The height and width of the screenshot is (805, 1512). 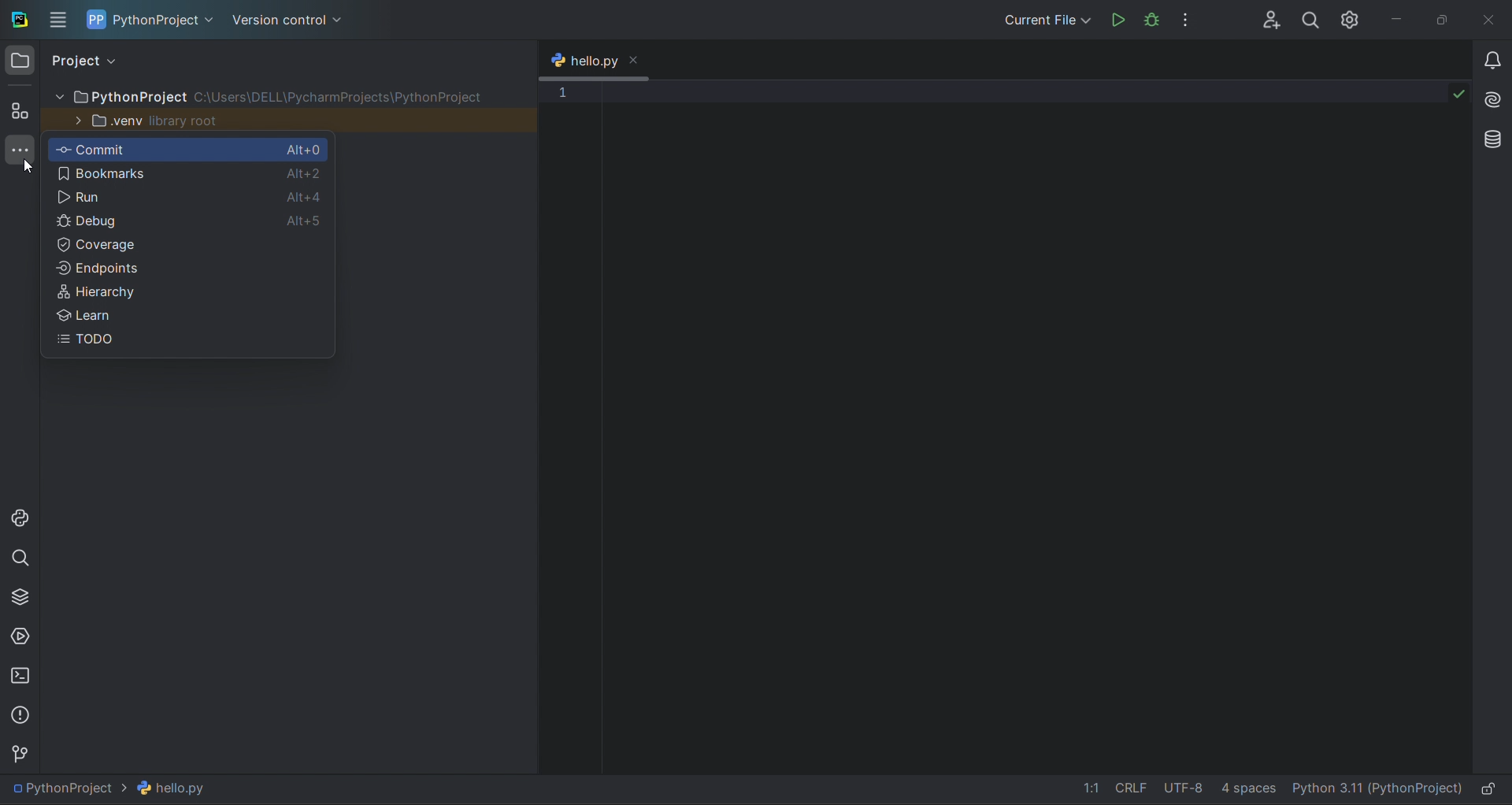 What do you see at coordinates (17, 21) in the screenshot?
I see `logo` at bounding box center [17, 21].